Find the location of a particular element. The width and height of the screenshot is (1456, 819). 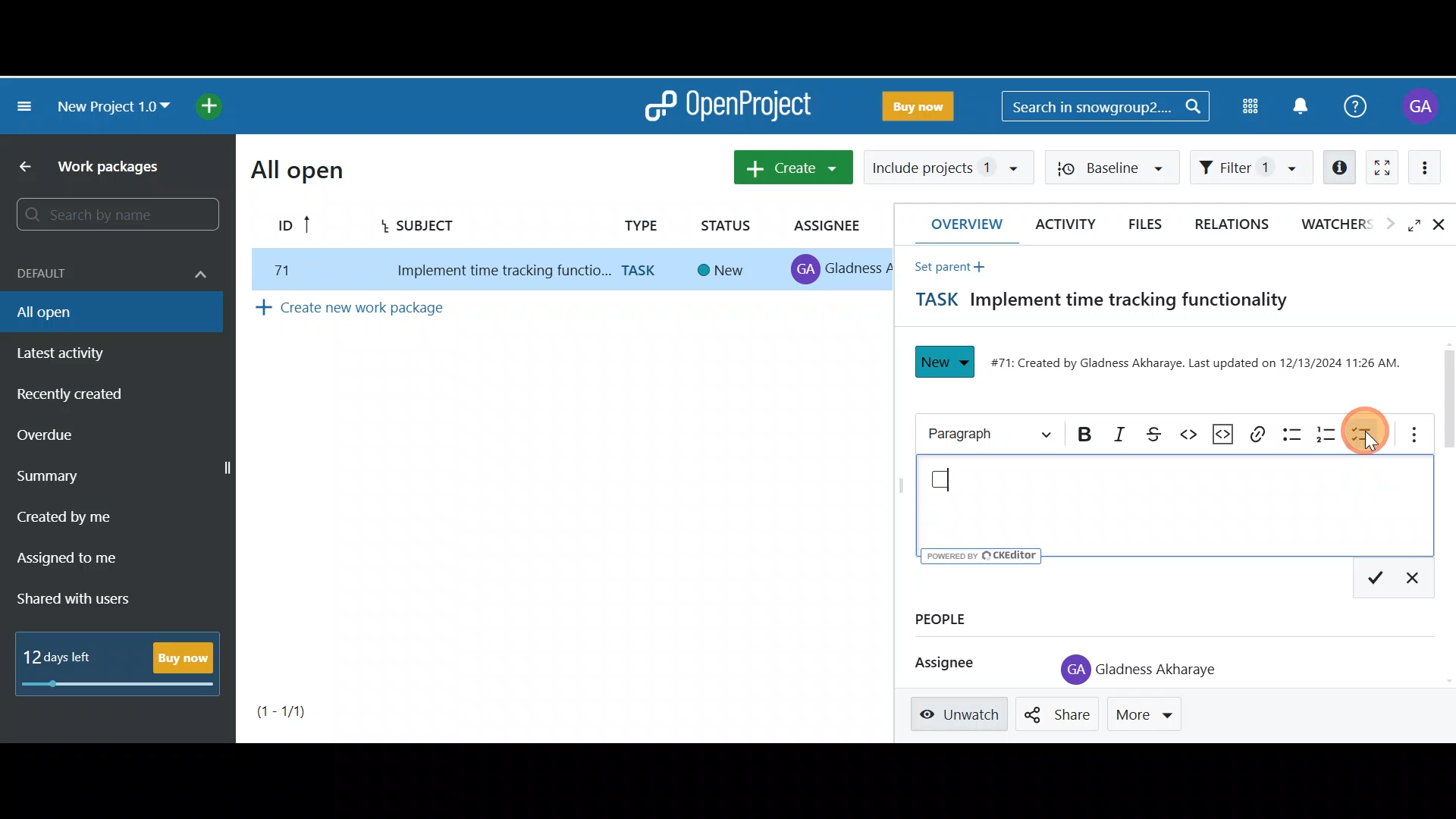

profile icon is located at coordinates (807, 270).